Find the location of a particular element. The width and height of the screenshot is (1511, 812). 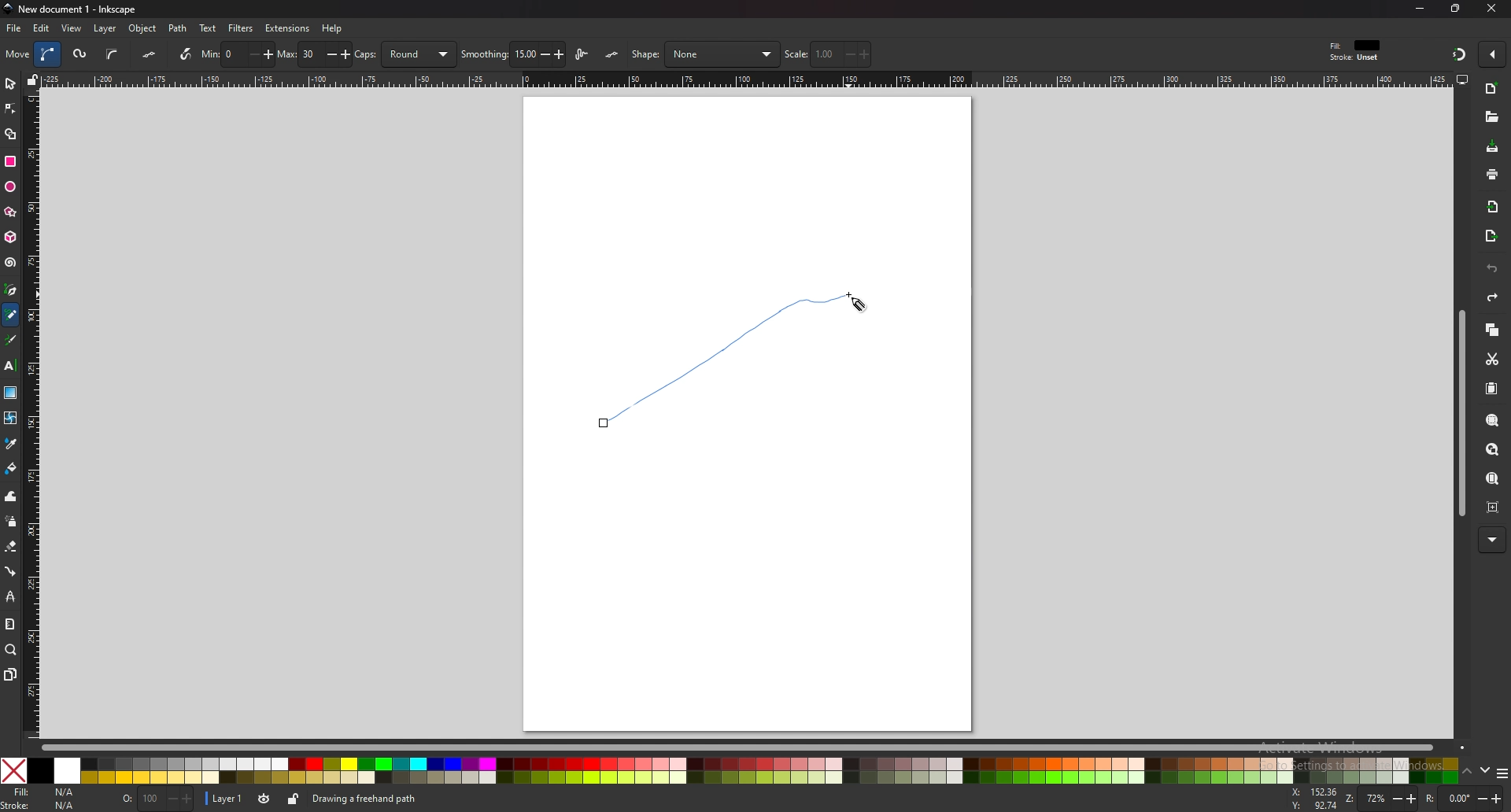

bezier path is located at coordinates (50, 54).